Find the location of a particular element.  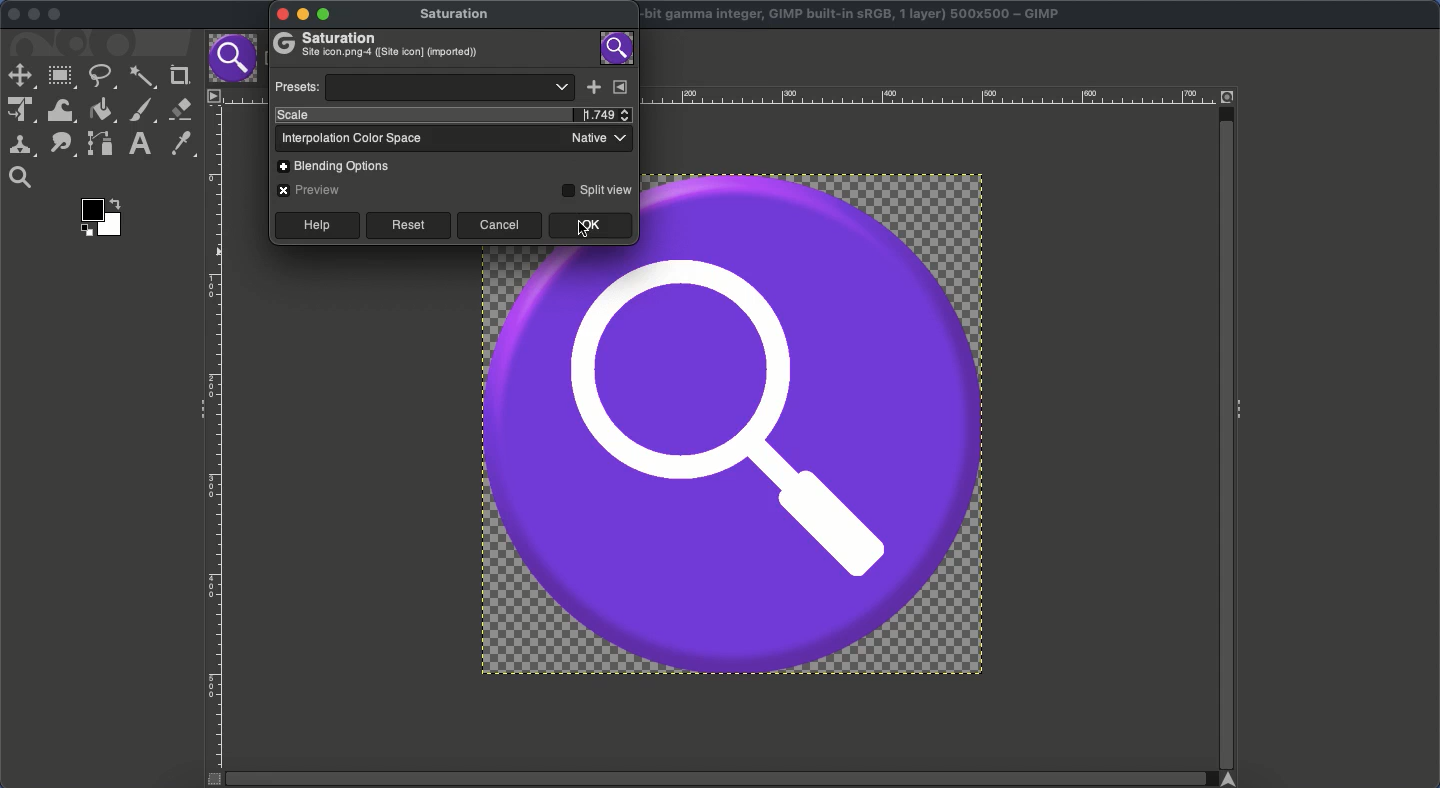

Collapse is located at coordinates (197, 410).